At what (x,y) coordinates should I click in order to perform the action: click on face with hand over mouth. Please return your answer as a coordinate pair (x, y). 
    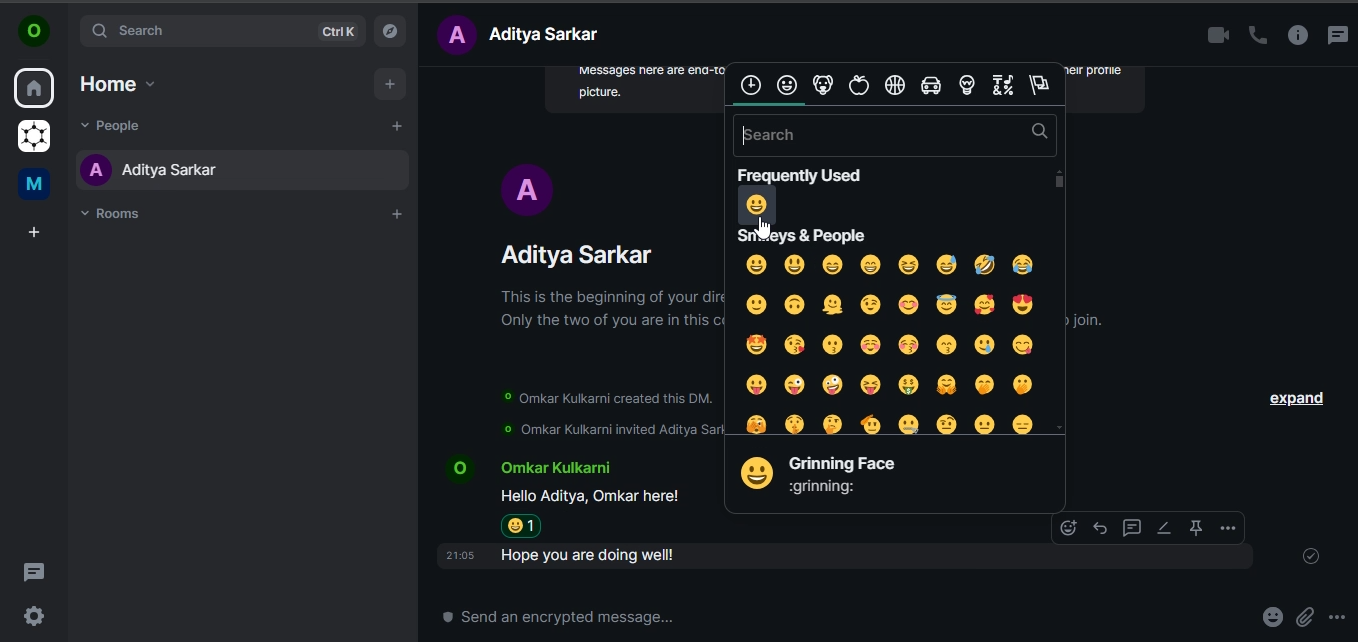
    Looking at the image, I should click on (982, 385).